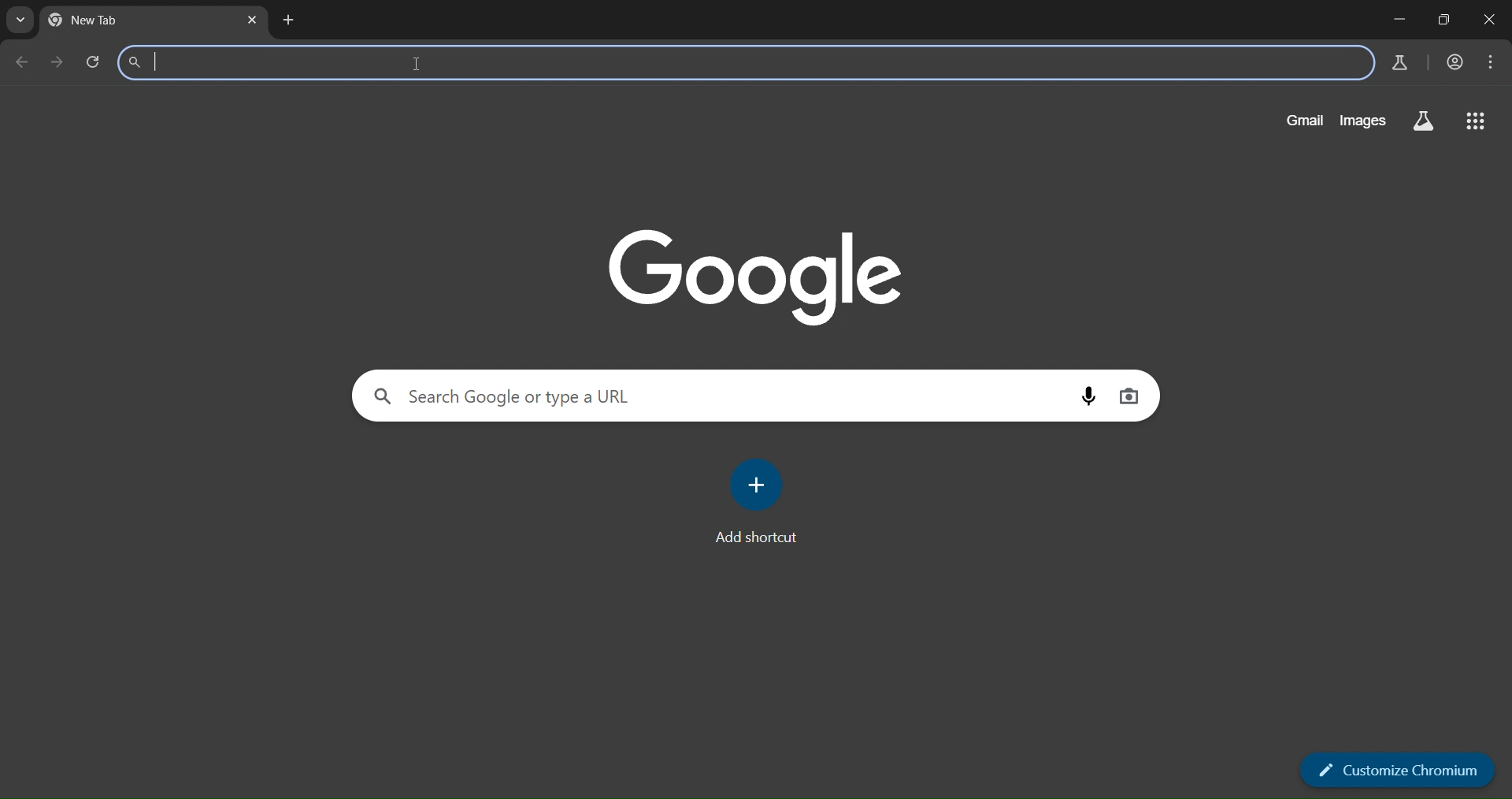 This screenshot has height=799, width=1512. Describe the element at coordinates (1403, 772) in the screenshot. I see `customize chromium` at that location.